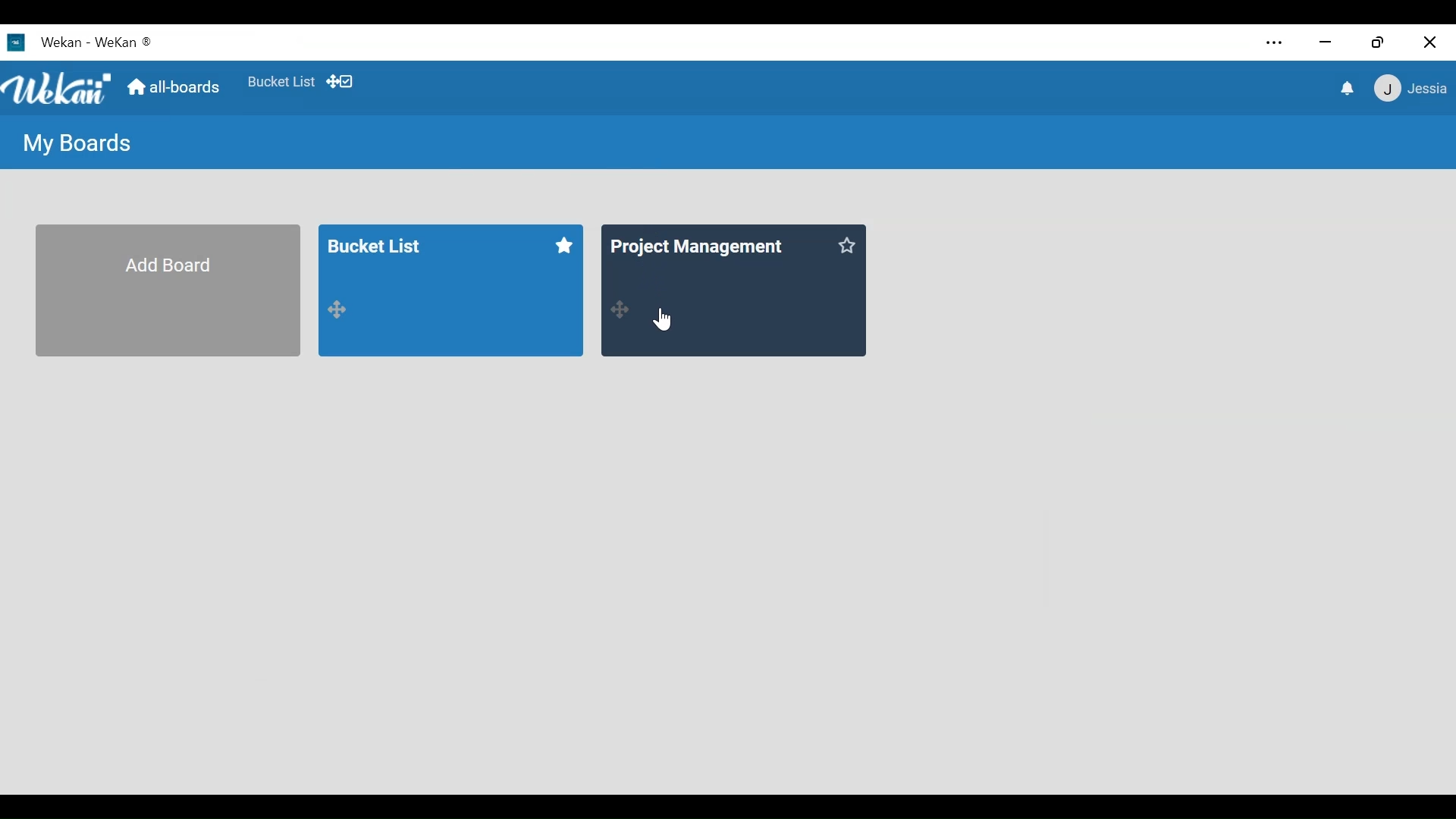 This screenshot has height=819, width=1456. What do you see at coordinates (1411, 88) in the screenshot?
I see `Member` at bounding box center [1411, 88].